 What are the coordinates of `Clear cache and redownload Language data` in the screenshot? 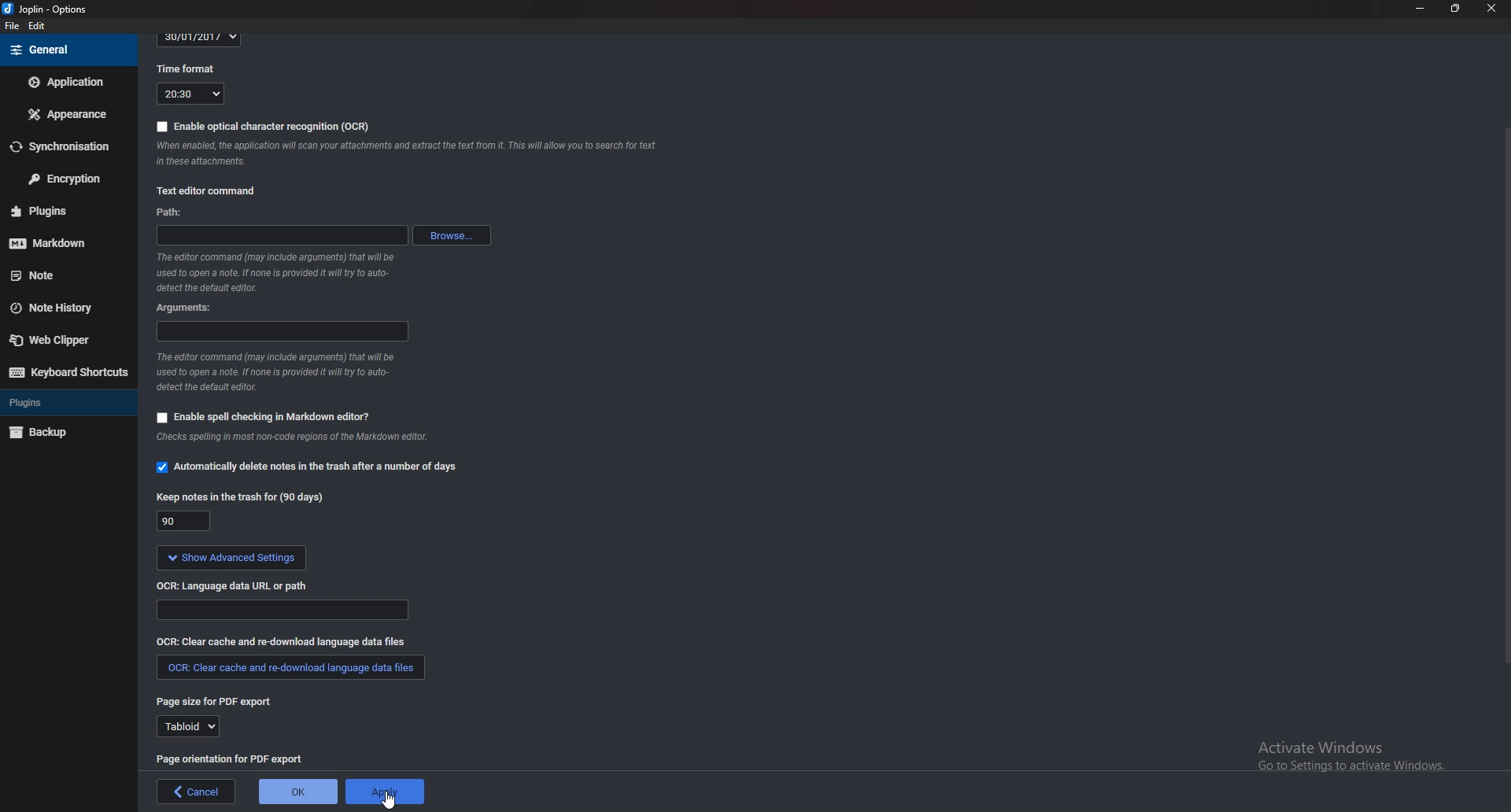 It's located at (286, 640).